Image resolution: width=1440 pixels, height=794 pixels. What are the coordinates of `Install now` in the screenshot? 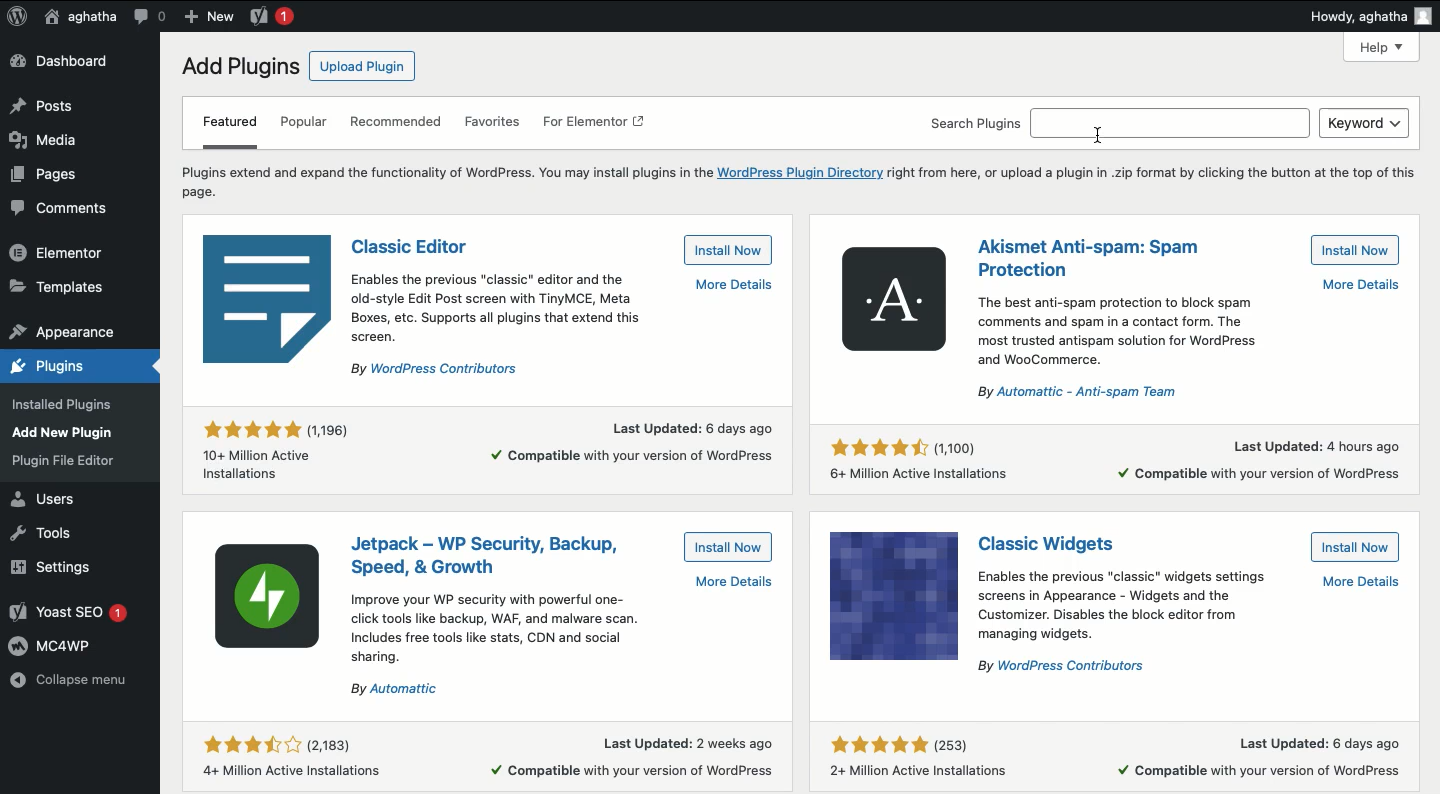 It's located at (1356, 548).